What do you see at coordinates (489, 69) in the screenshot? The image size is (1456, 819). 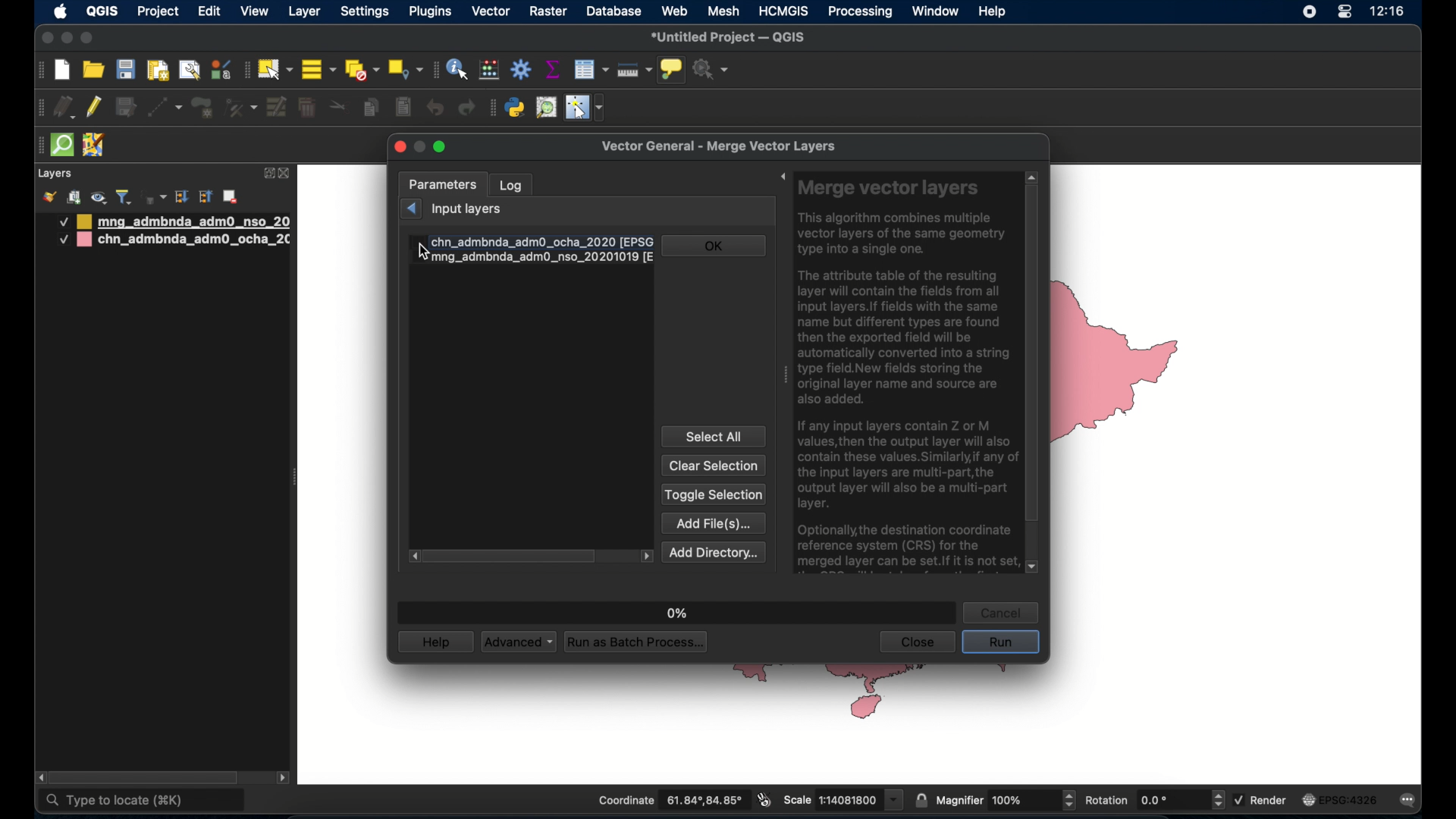 I see `open field calculator` at bounding box center [489, 69].